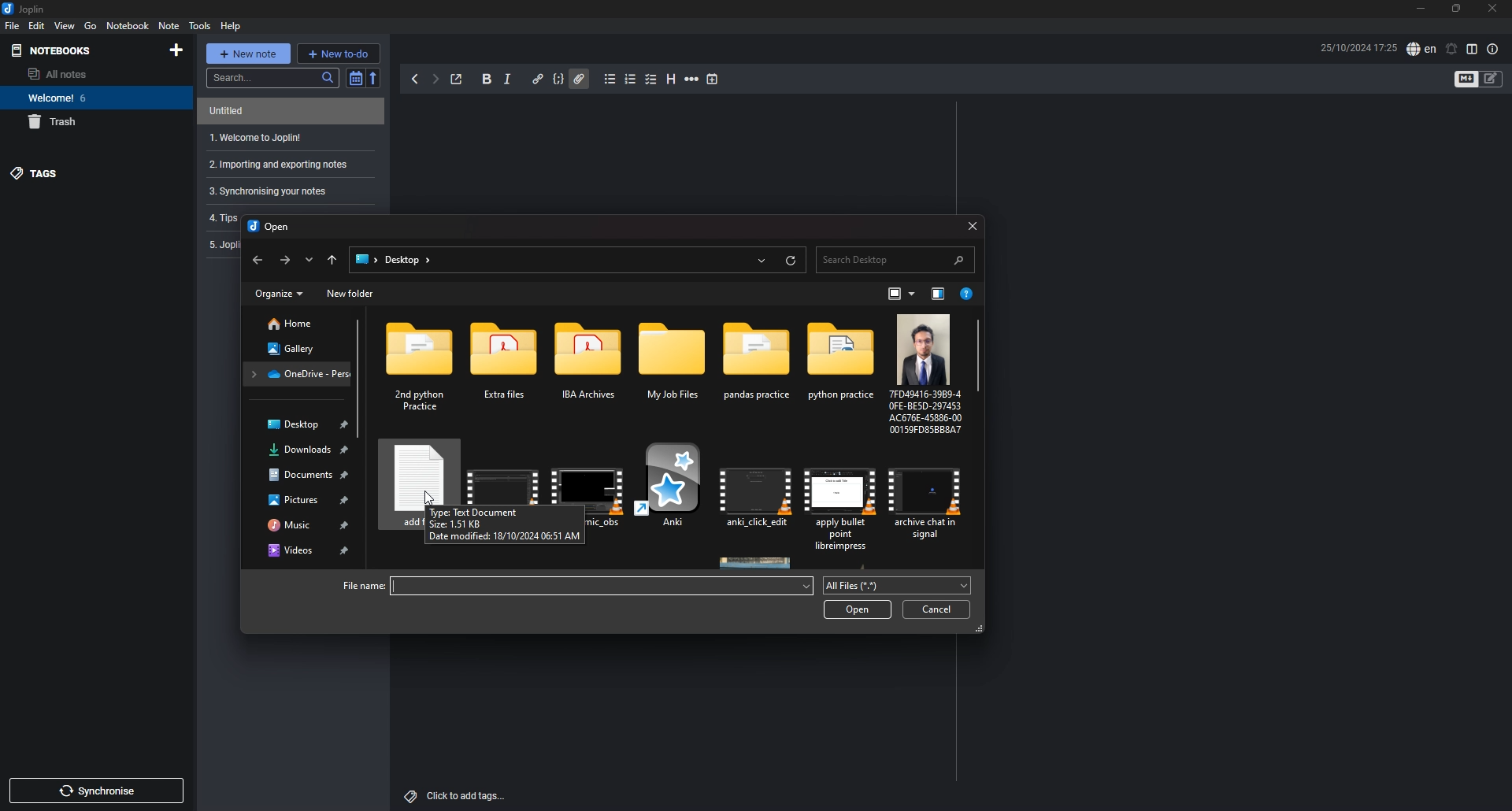 The height and width of the screenshot is (811, 1512). I want to click on file, so click(414, 472).